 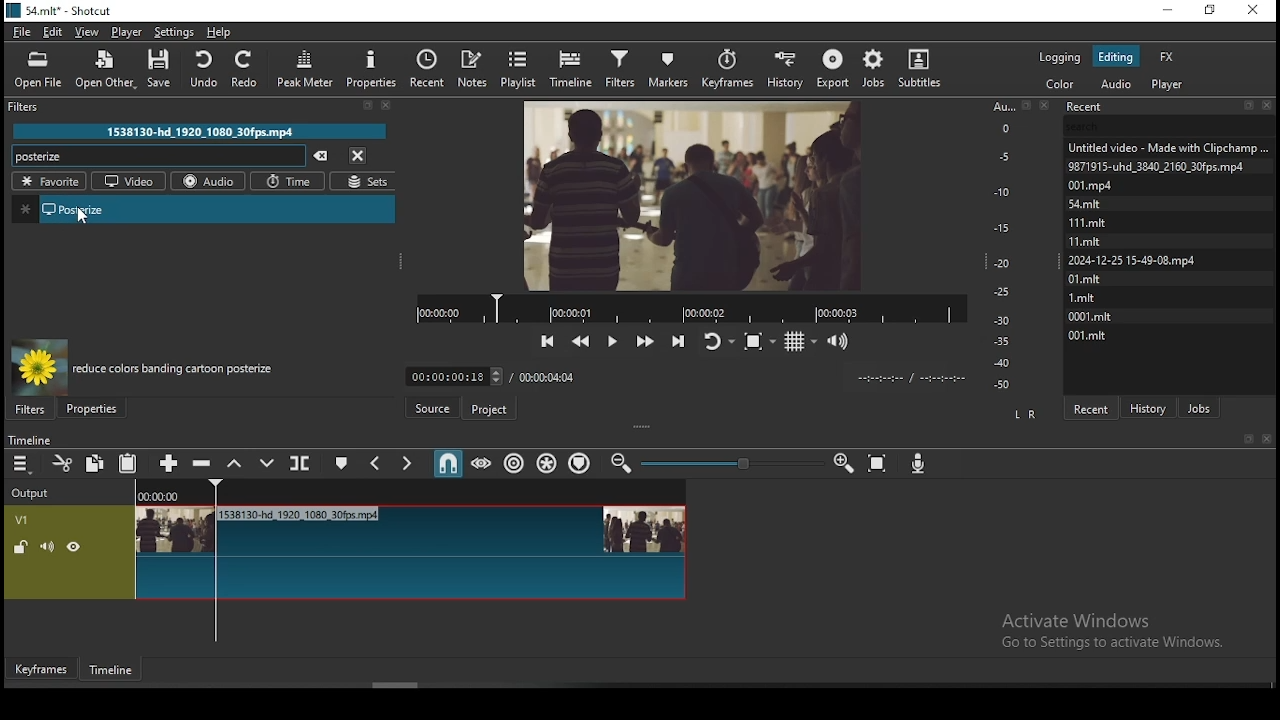 What do you see at coordinates (51, 31) in the screenshot?
I see `edit` at bounding box center [51, 31].